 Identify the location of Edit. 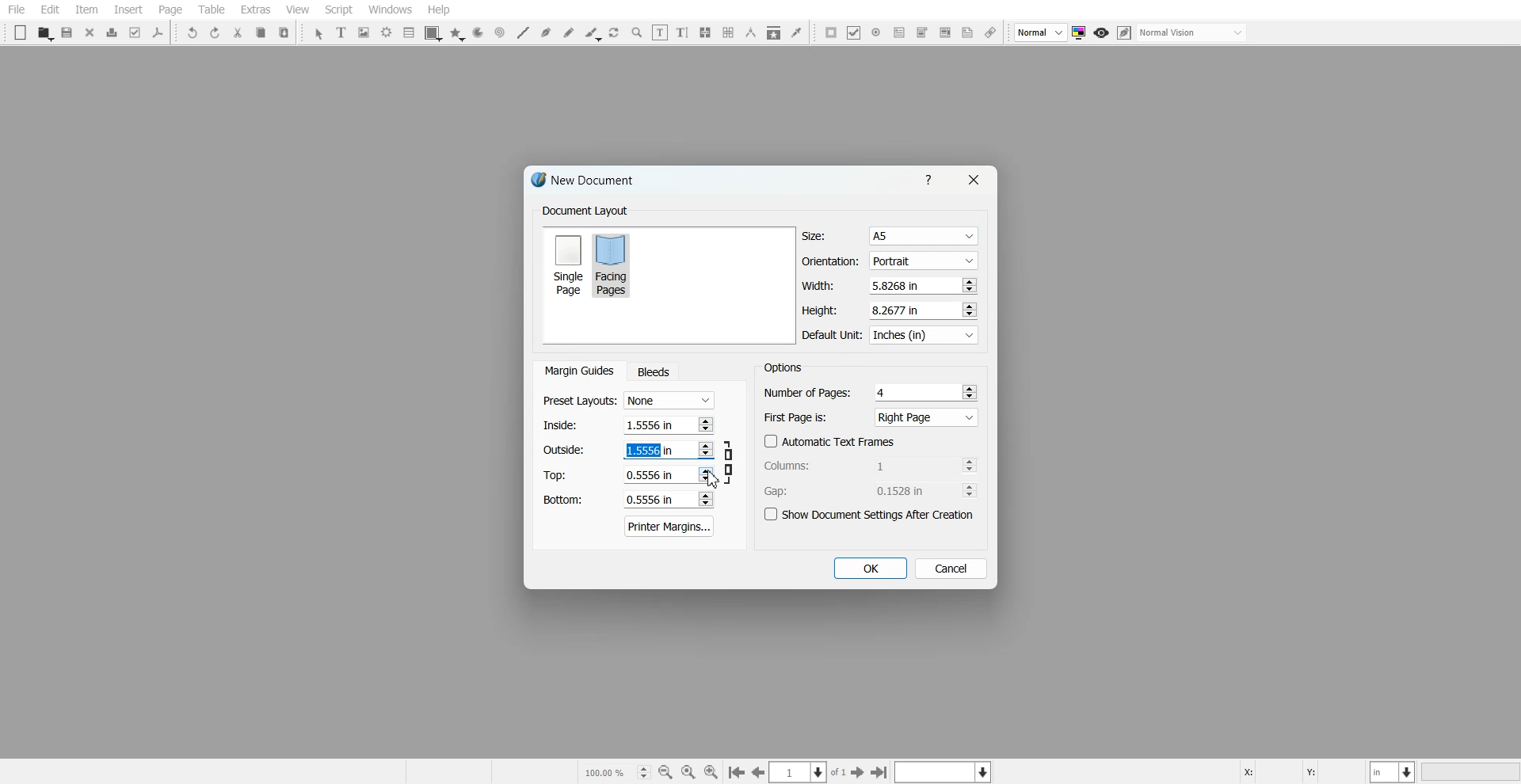
(49, 10).